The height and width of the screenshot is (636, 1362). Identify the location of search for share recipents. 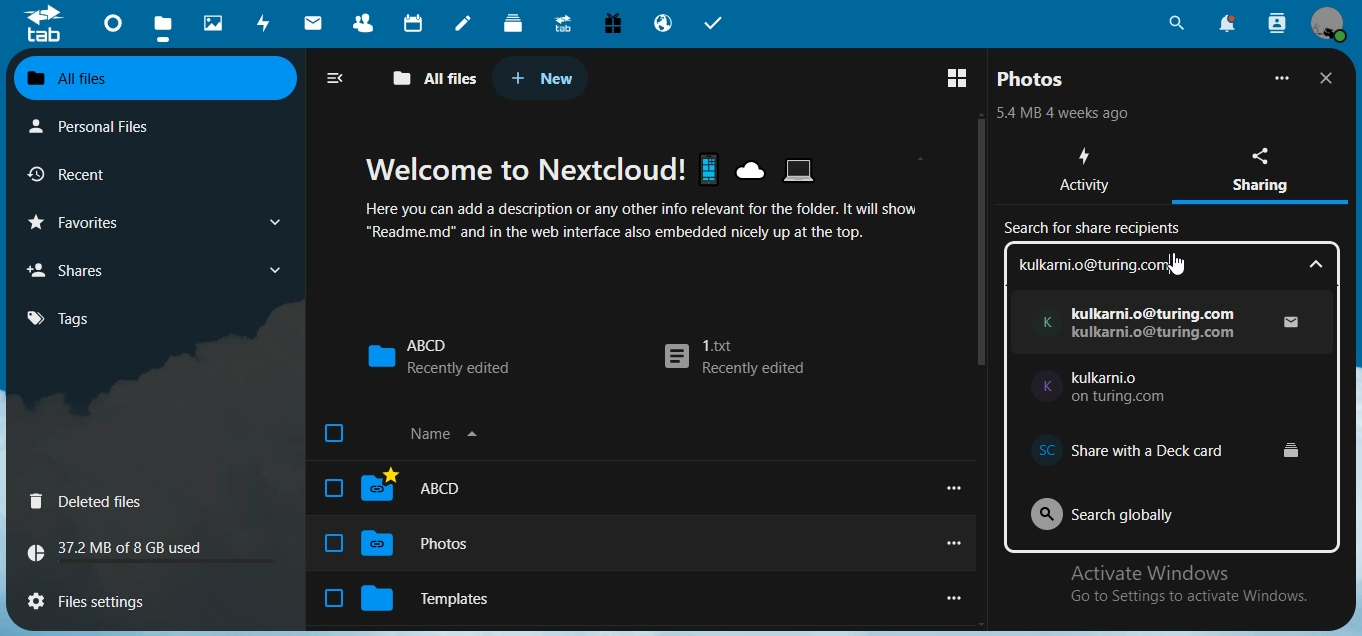
(1097, 230).